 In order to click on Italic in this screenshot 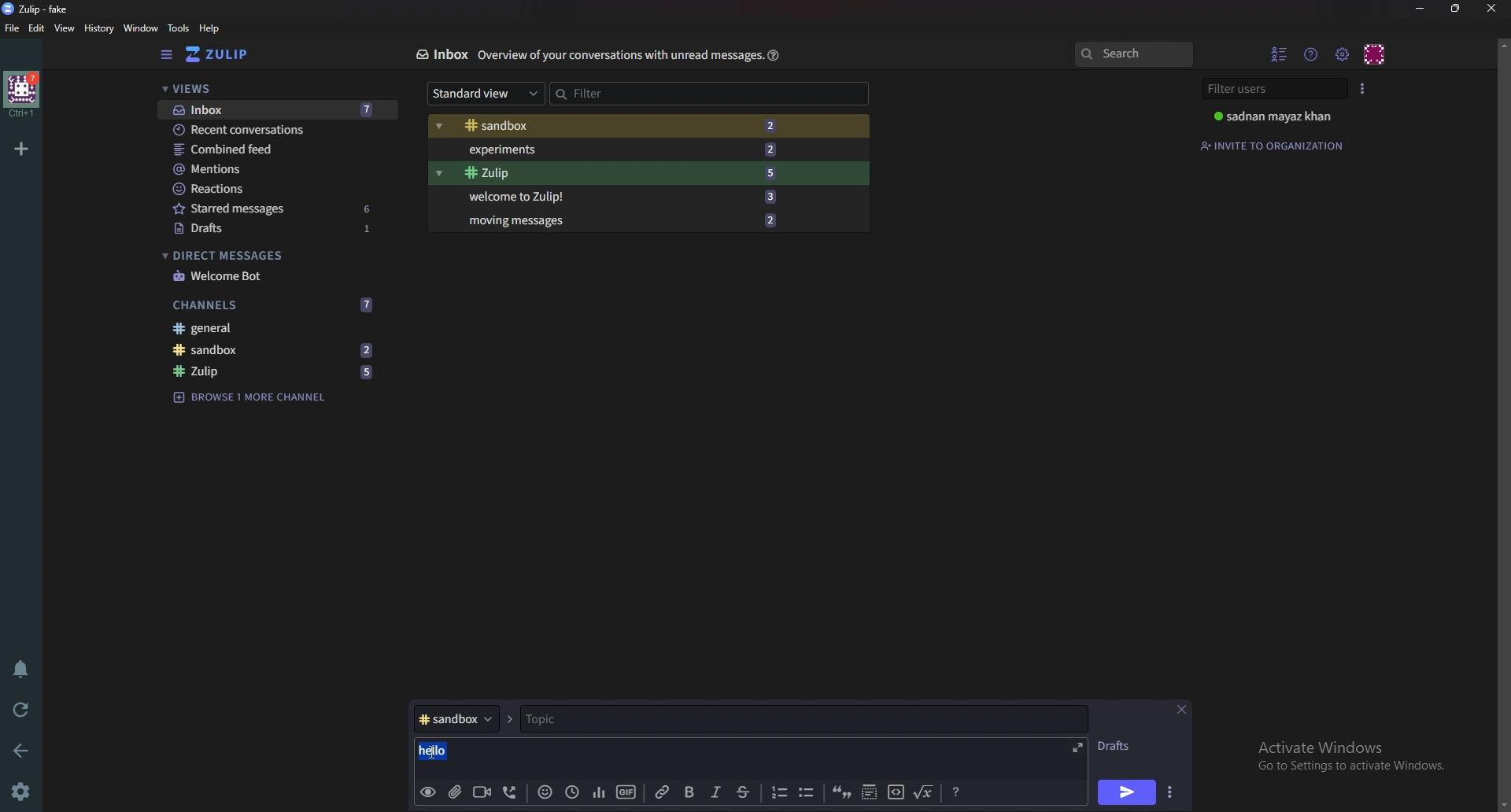, I will do `click(716, 794)`.